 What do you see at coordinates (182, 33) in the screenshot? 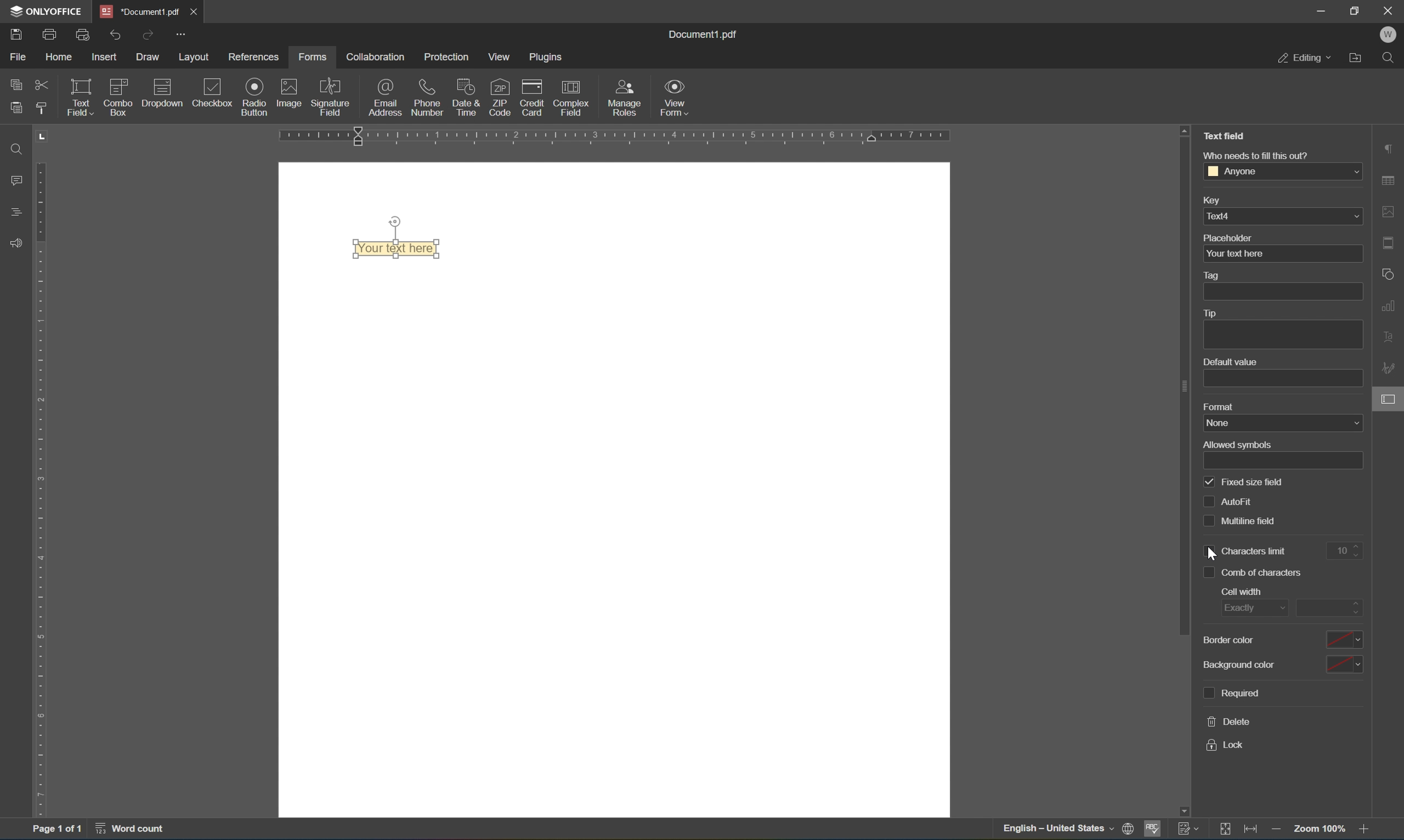
I see `more` at bounding box center [182, 33].